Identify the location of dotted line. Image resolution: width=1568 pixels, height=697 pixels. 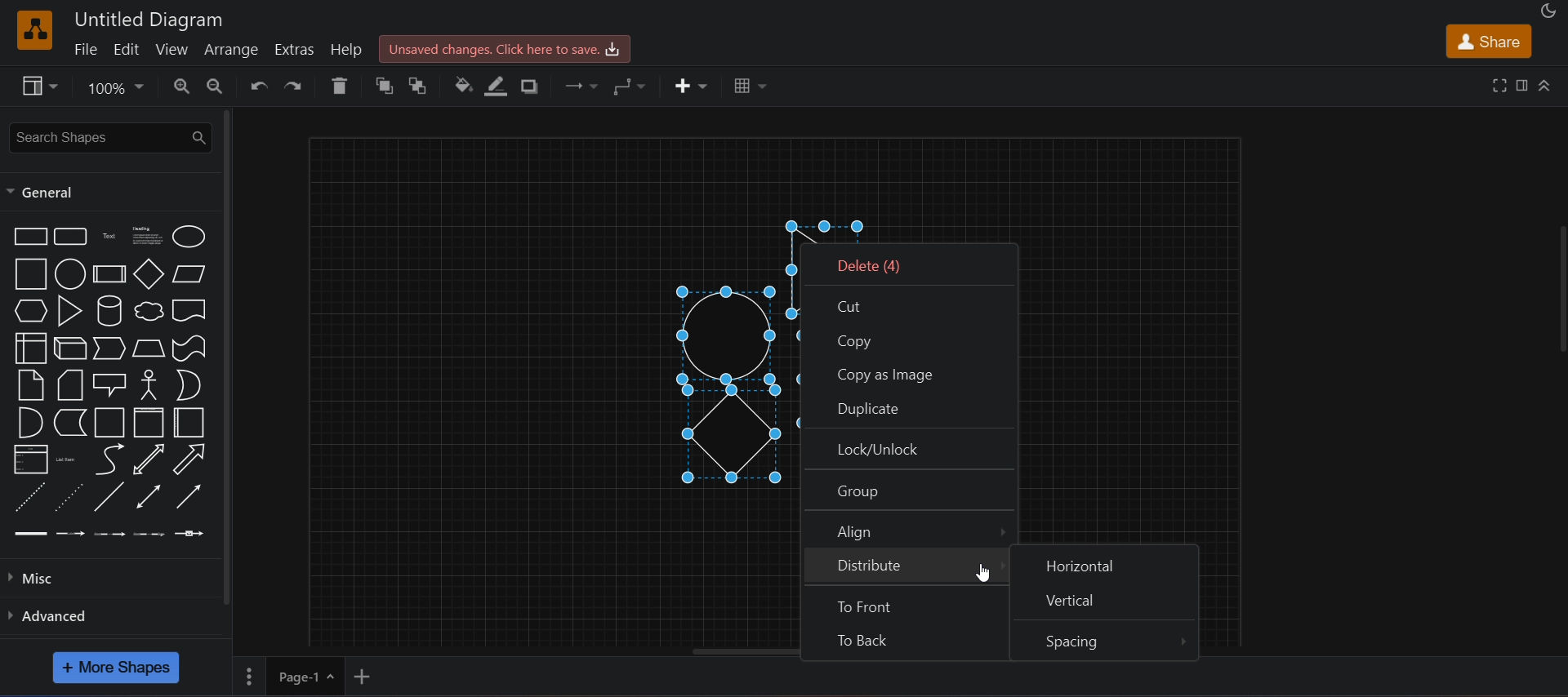
(70, 496).